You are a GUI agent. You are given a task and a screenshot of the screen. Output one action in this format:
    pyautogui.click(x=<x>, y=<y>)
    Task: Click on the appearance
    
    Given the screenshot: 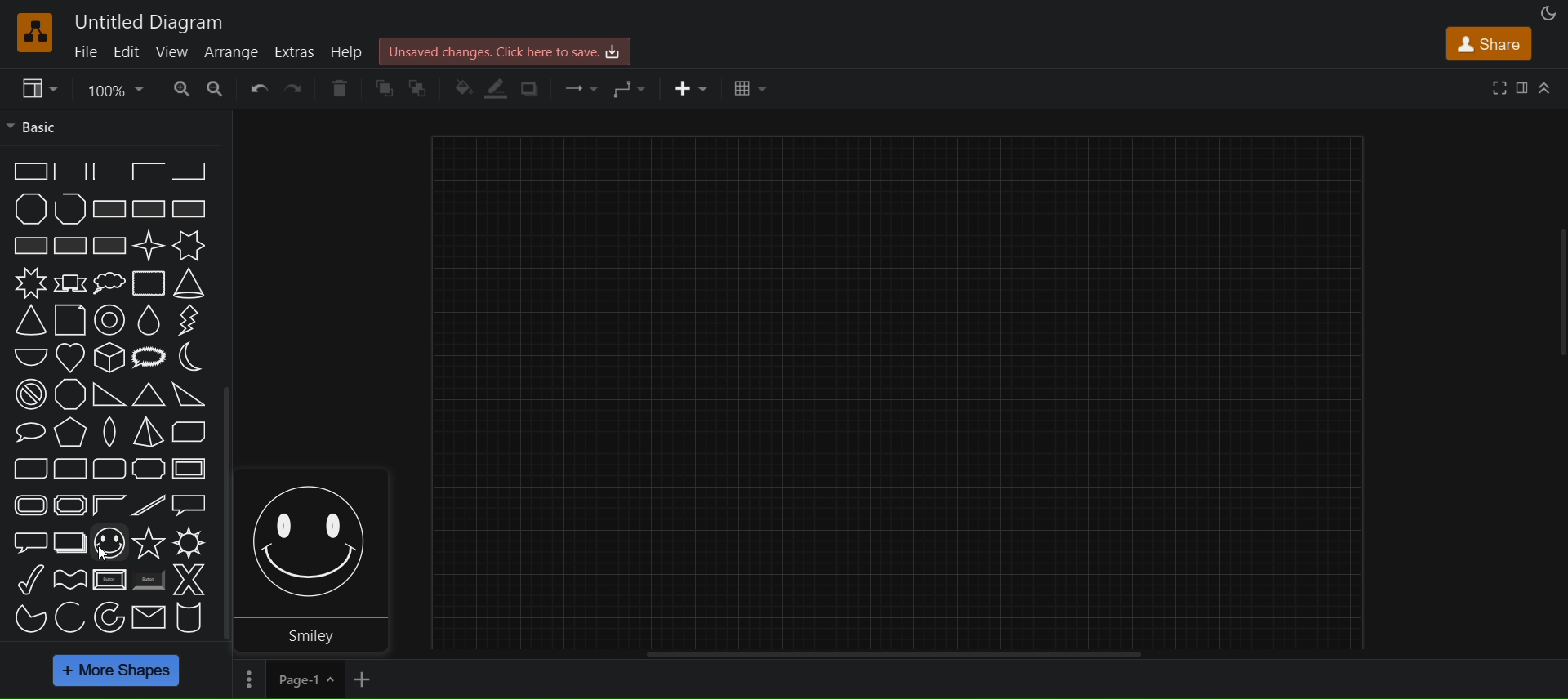 What is the action you would take?
    pyautogui.click(x=1546, y=14)
    